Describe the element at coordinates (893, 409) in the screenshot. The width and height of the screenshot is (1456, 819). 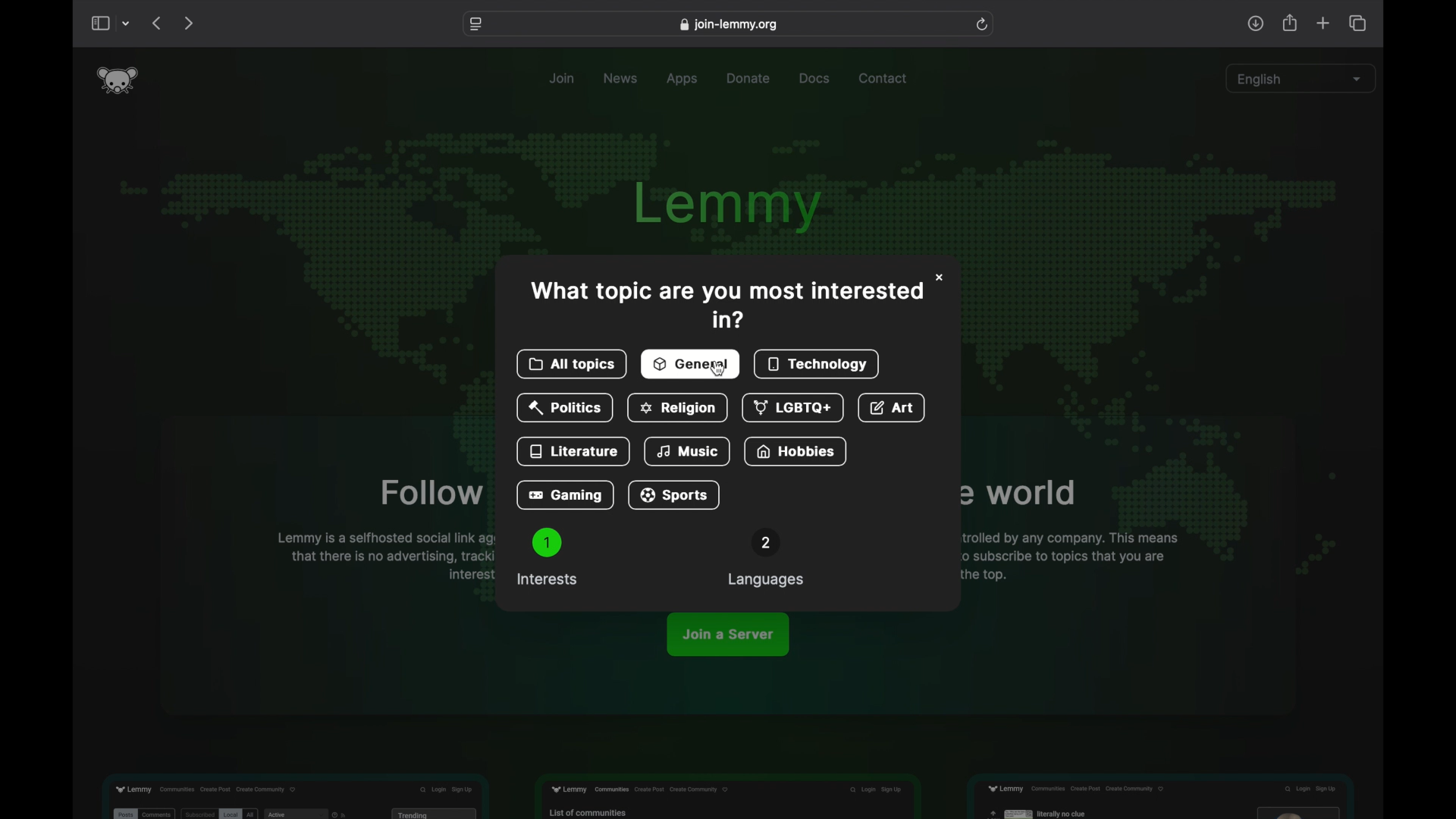
I see `art` at that location.